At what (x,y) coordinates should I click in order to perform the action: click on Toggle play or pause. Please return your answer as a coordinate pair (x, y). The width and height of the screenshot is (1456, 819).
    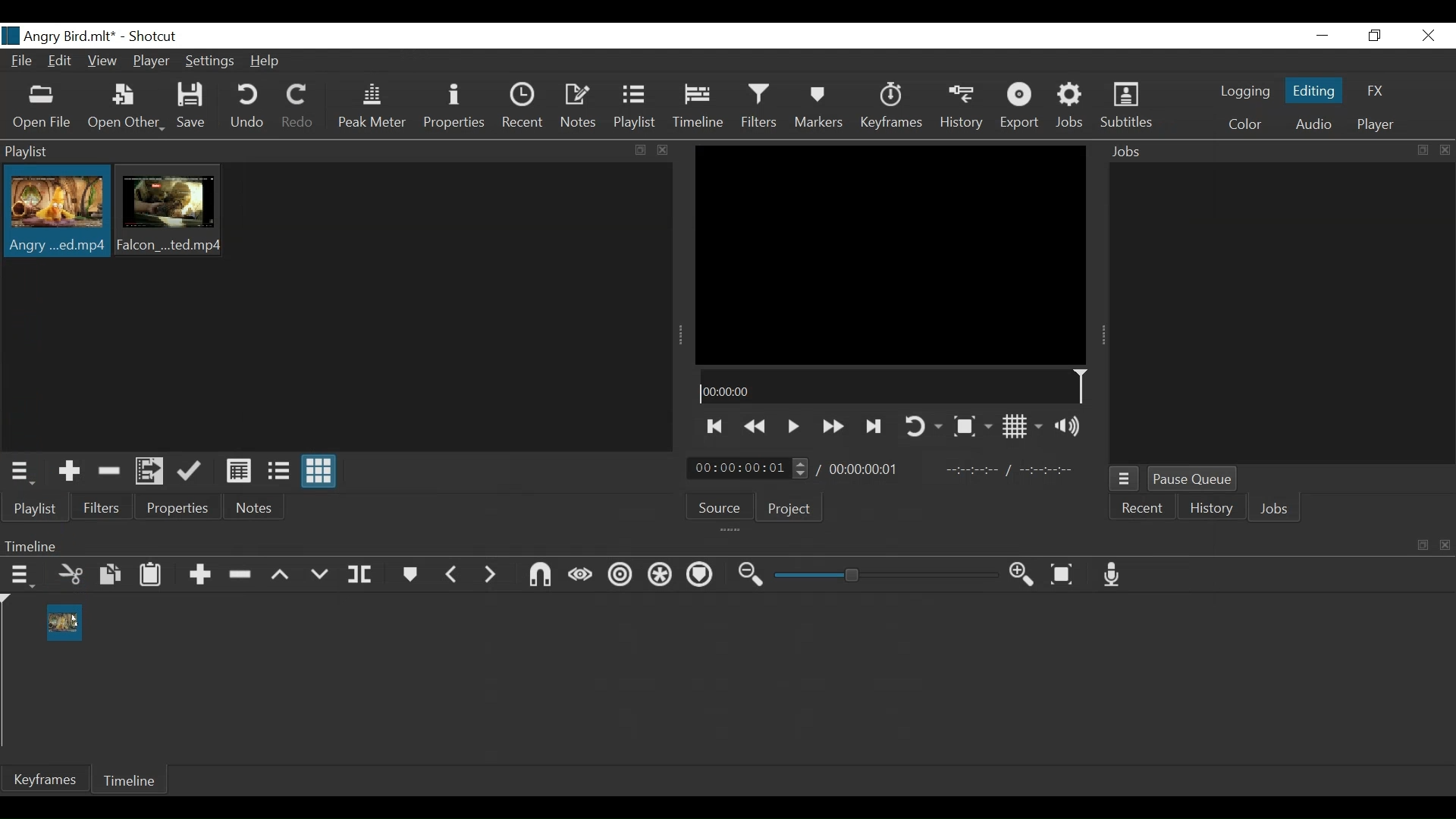
    Looking at the image, I should click on (795, 426).